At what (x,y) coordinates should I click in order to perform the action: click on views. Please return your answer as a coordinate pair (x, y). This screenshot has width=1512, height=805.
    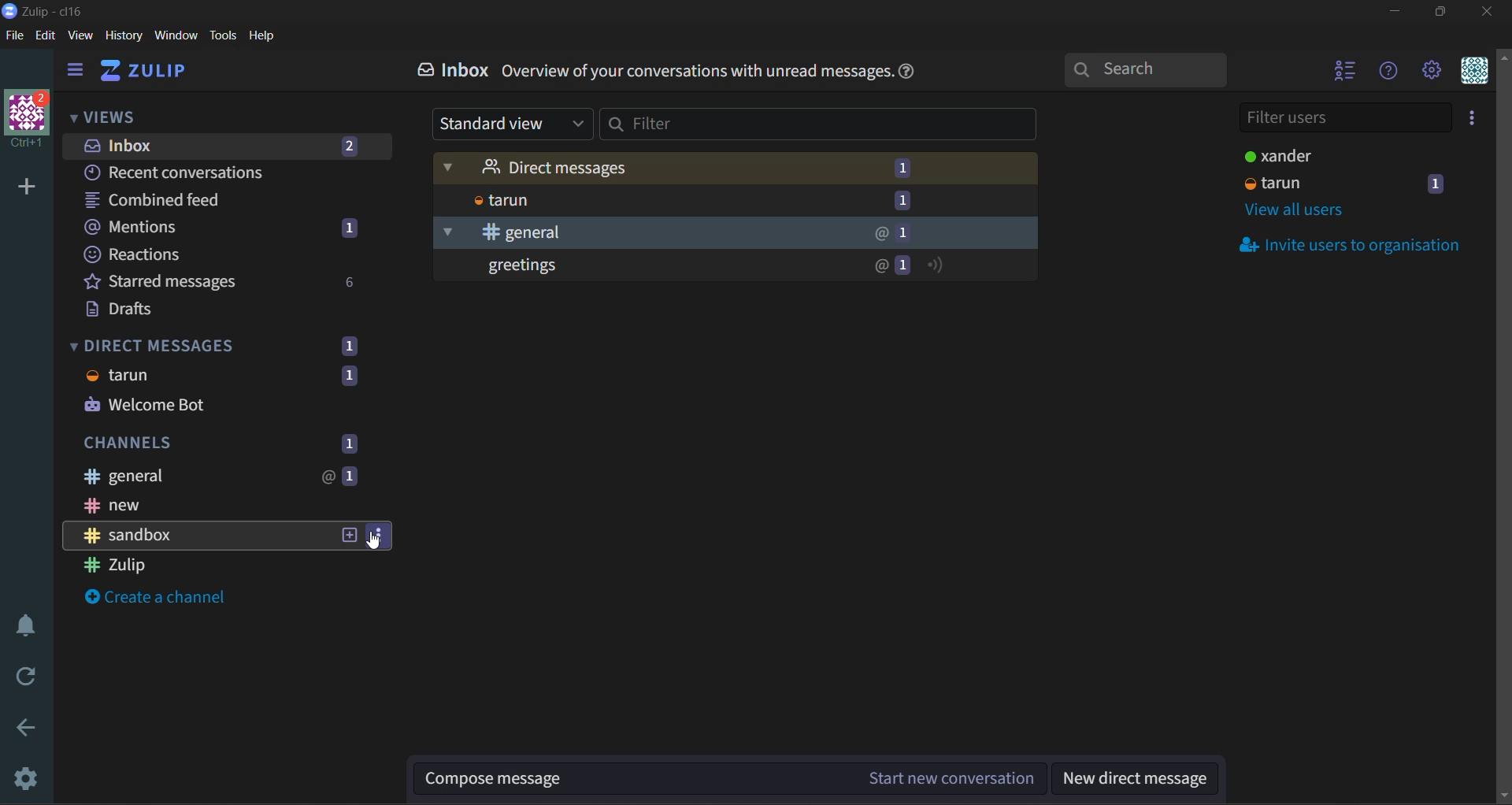
    Looking at the image, I should click on (105, 117).